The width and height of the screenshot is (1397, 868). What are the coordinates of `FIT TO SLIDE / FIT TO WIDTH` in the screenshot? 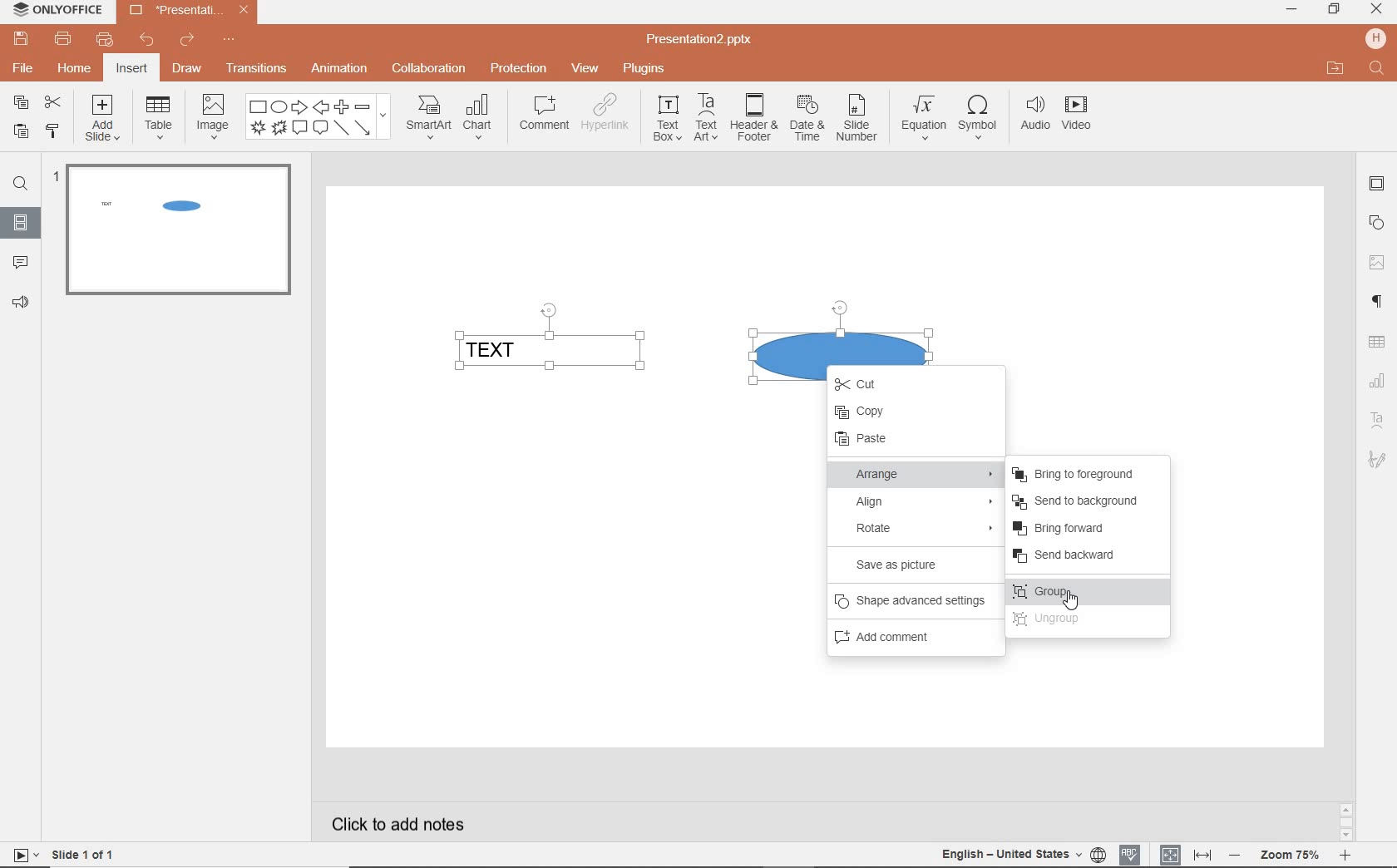 It's located at (1187, 853).